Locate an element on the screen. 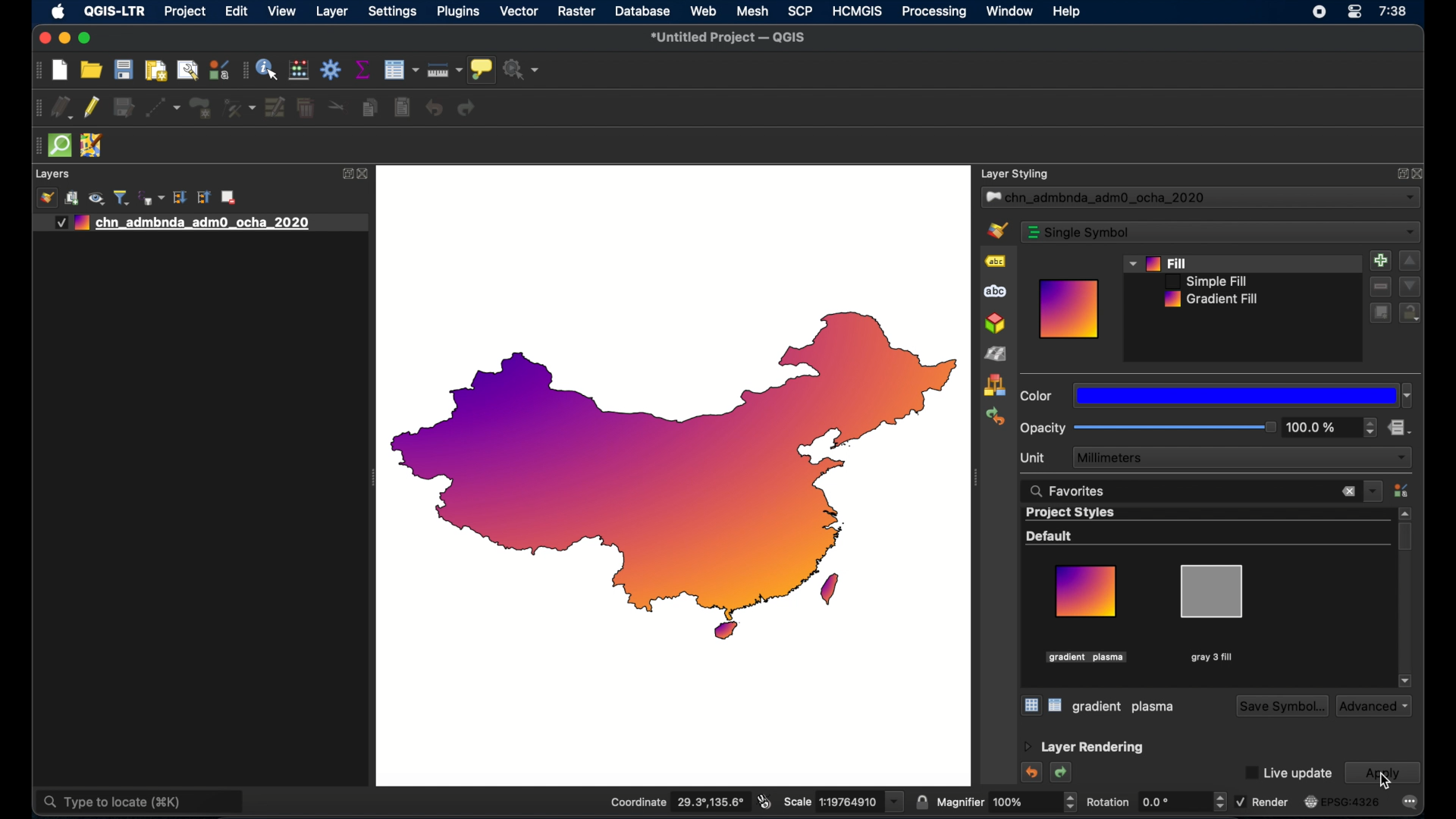  simple fill is located at coordinates (1207, 281).